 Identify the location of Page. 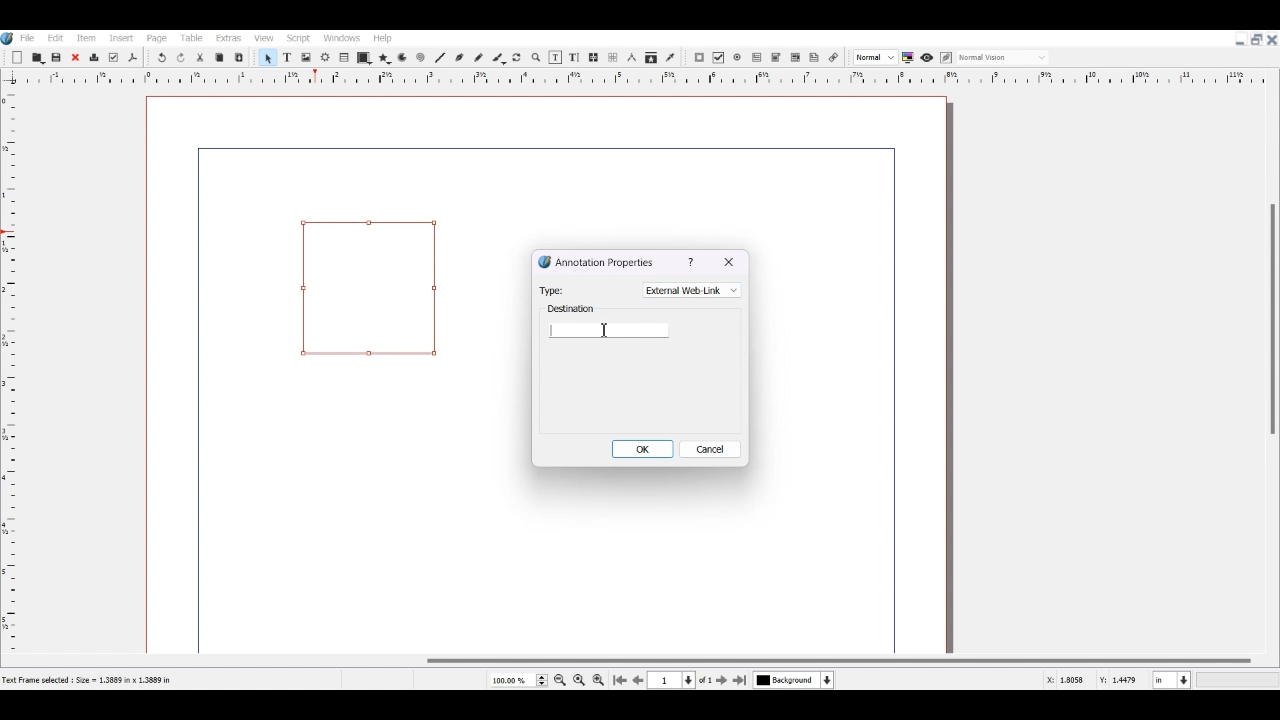
(157, 38).